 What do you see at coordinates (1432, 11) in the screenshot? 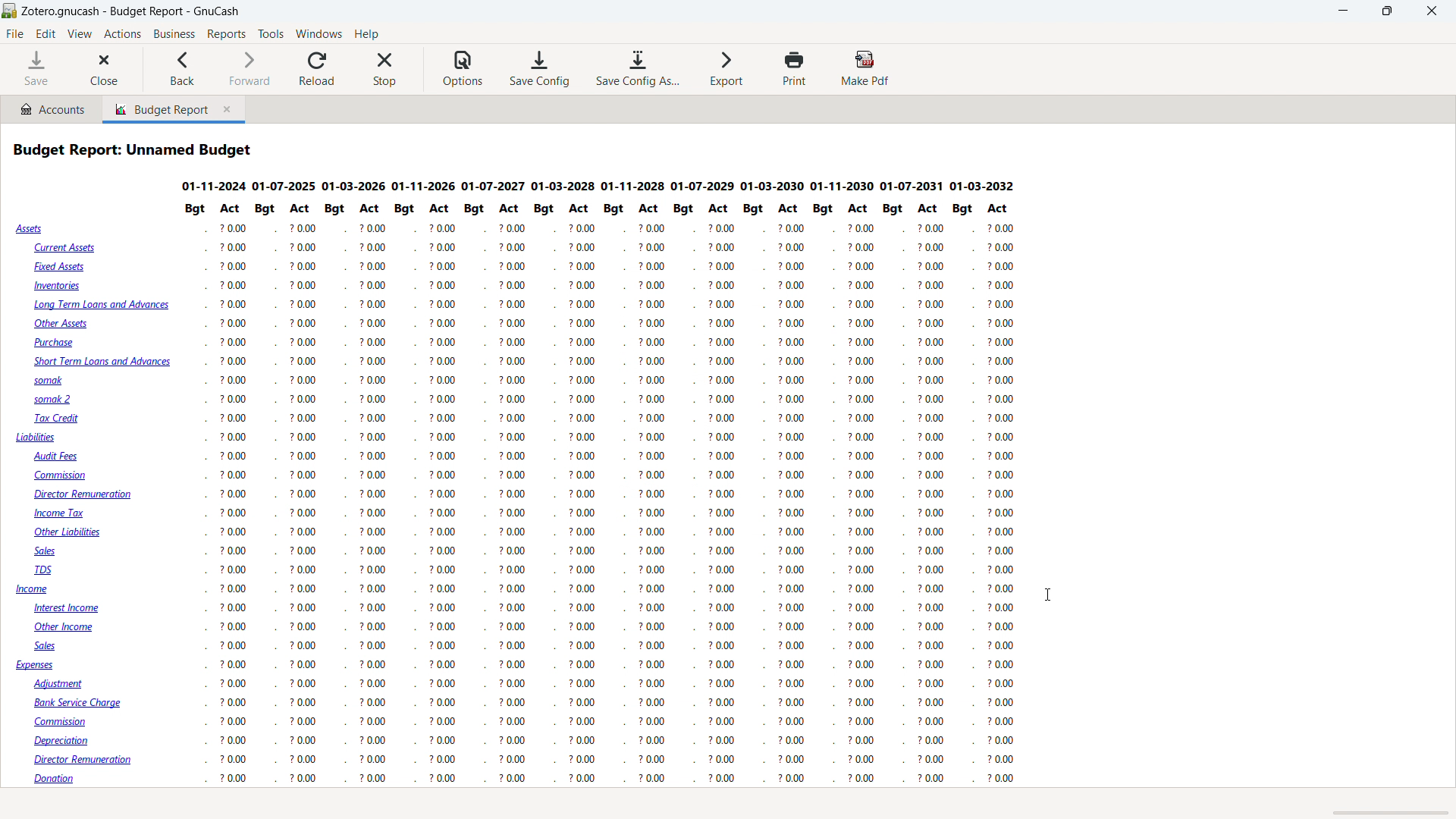
I see `close` at bounding box center [1432, 11].